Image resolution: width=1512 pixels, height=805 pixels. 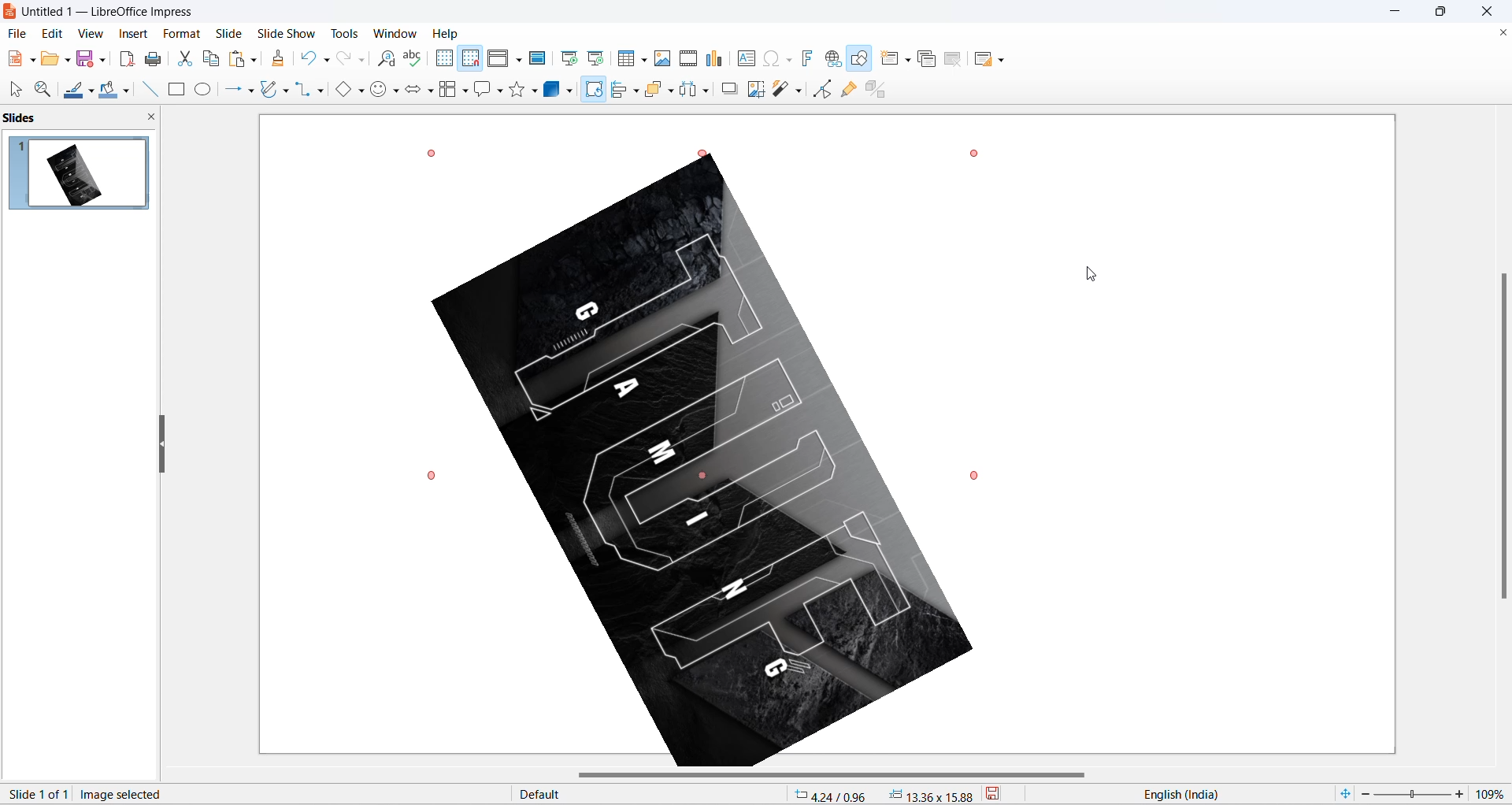 What do you see at coordinates (1411, 795) in the screenshot?
I see `zoom slider` at bounding box center [1411, 795].